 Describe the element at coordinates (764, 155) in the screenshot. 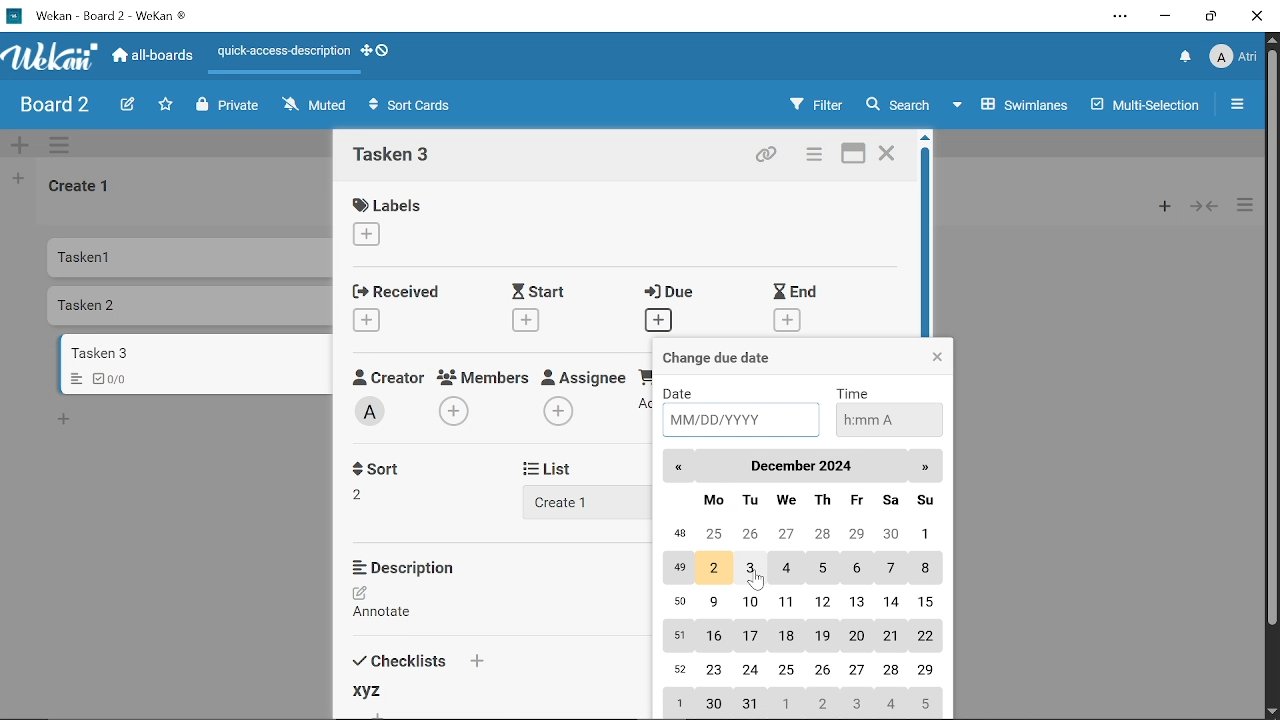

I see `Copy link of this card to clipboard` at that location.